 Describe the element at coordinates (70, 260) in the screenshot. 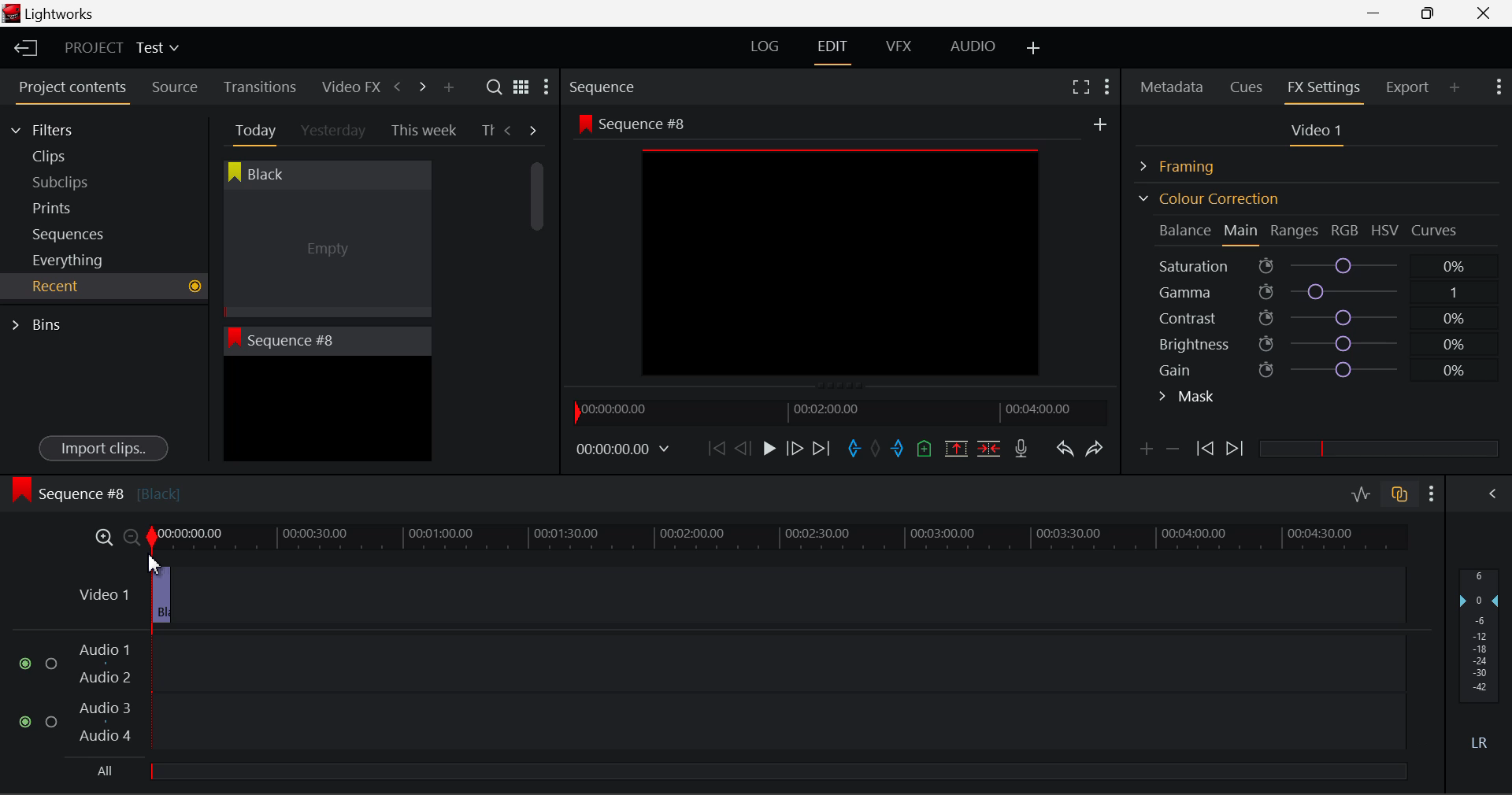

I see `Everything` at that location.